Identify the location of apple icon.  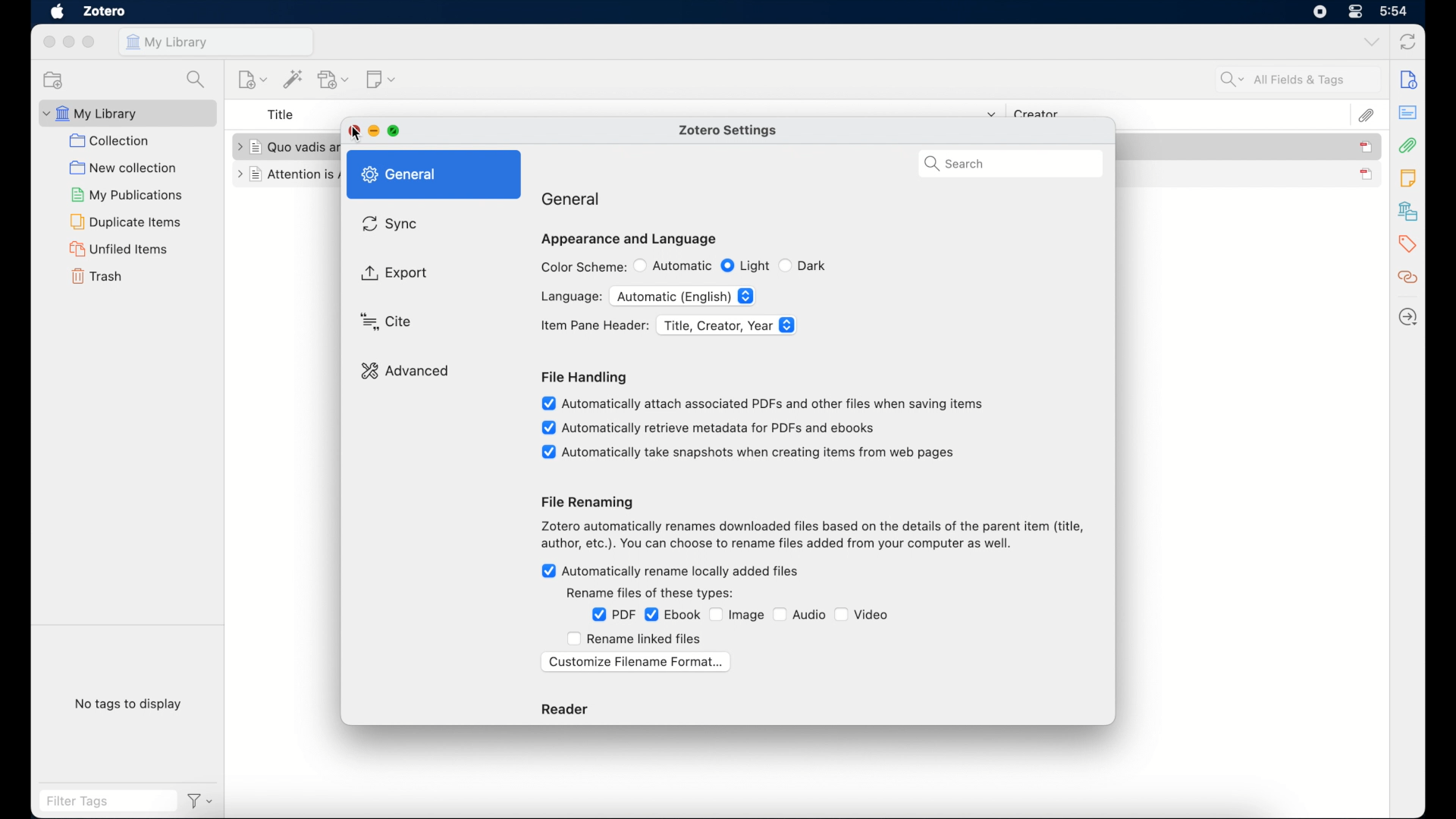
(57, 12).